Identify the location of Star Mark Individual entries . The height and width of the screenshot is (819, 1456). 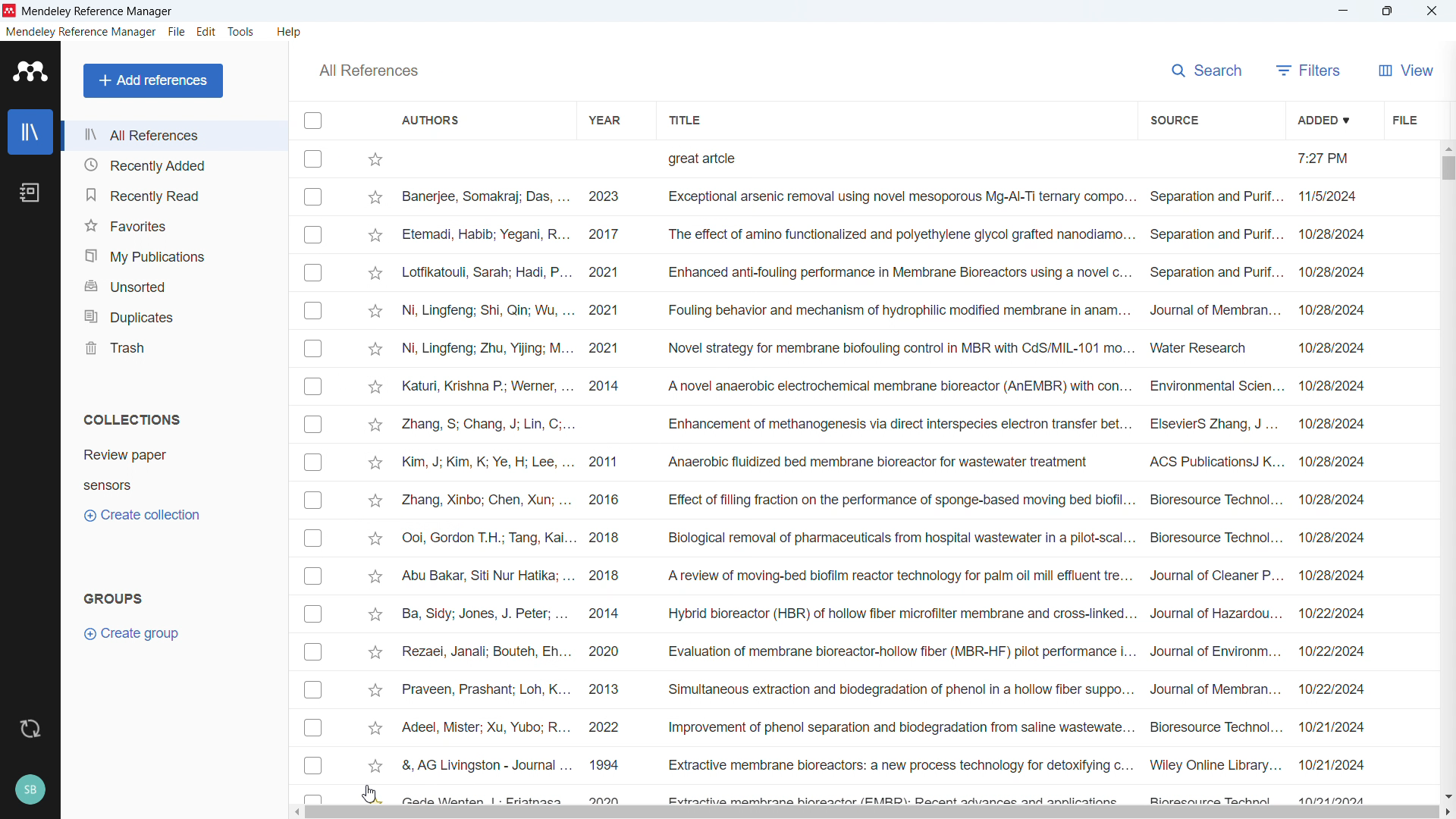
(375, 493).